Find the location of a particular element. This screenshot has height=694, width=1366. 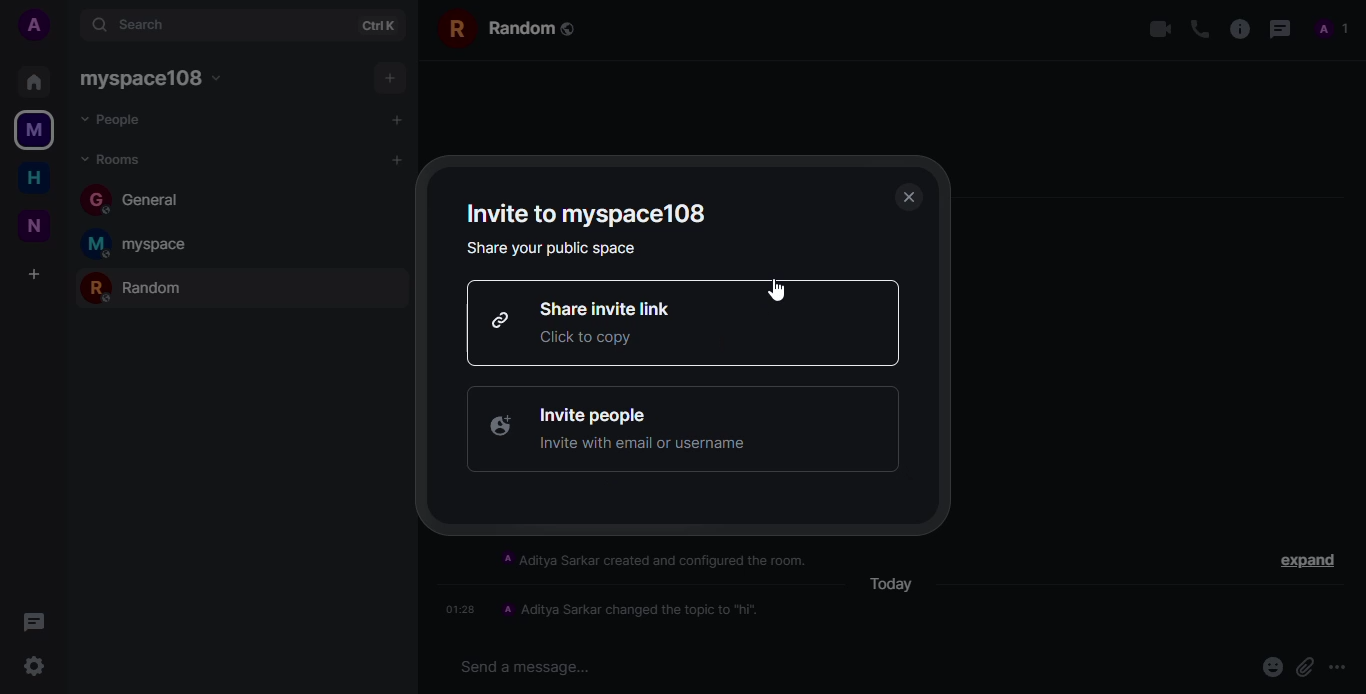

Send a message... is located at coordinates (530, 668).